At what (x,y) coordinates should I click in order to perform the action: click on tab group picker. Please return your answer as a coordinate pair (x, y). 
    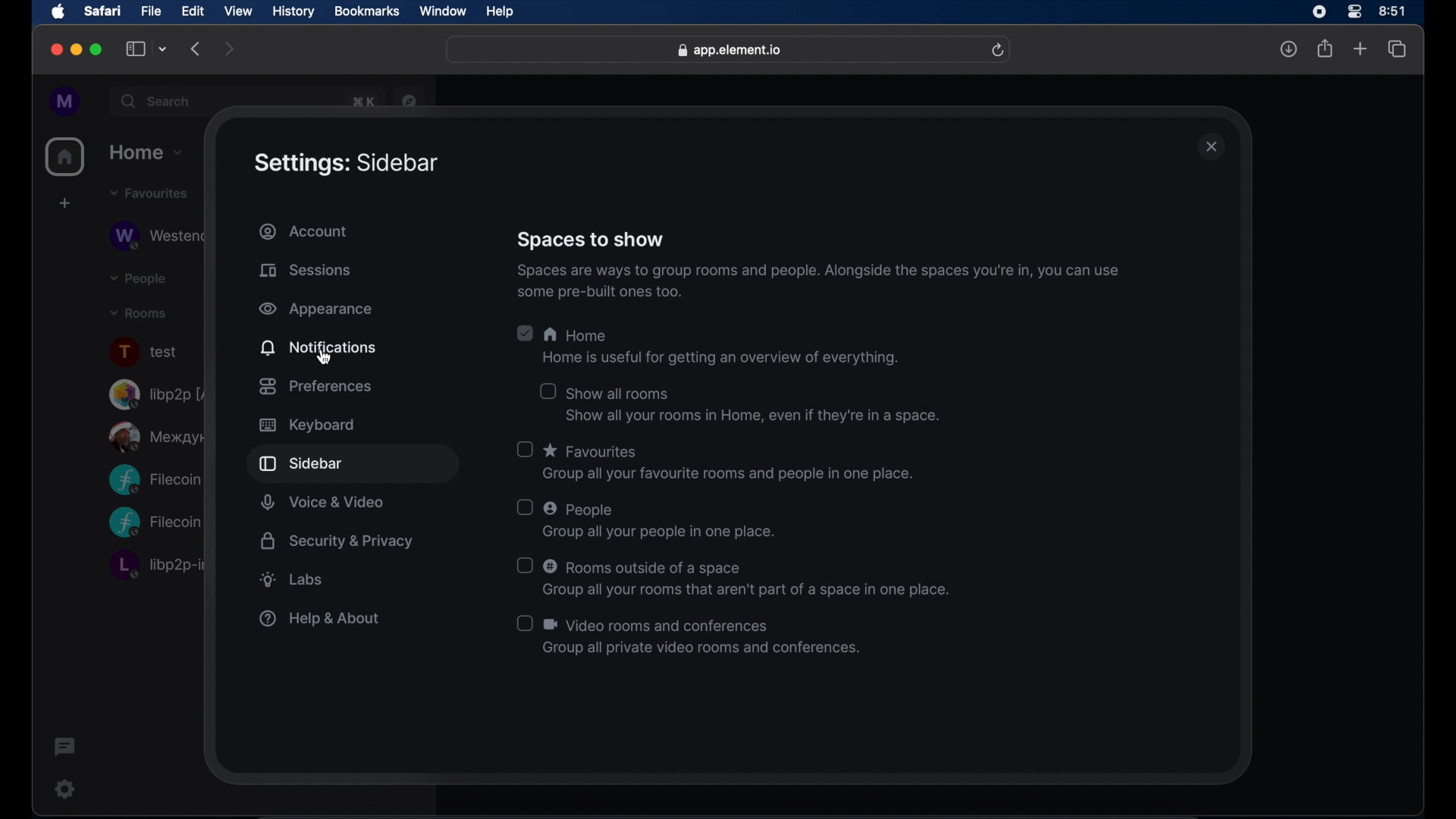
    Looking at the image, I should click on (163, 49).